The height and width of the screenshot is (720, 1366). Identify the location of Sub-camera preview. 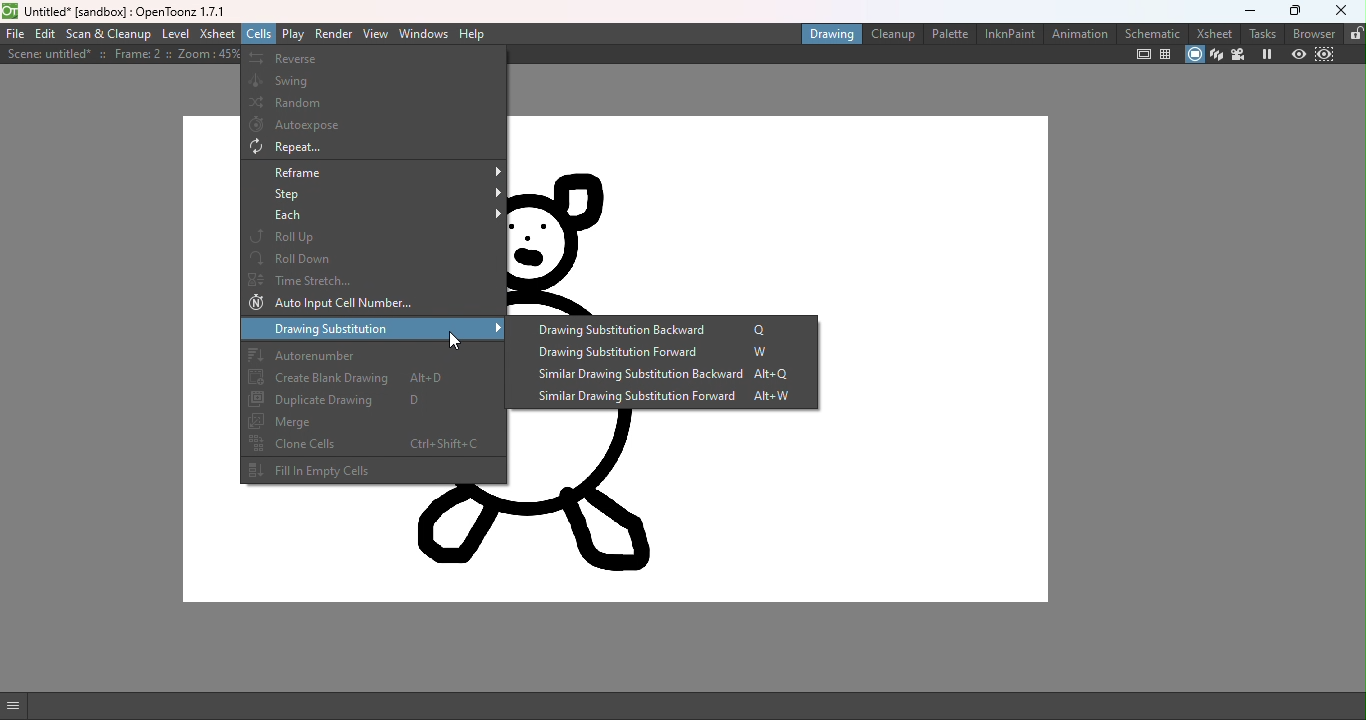
(1325, 55).